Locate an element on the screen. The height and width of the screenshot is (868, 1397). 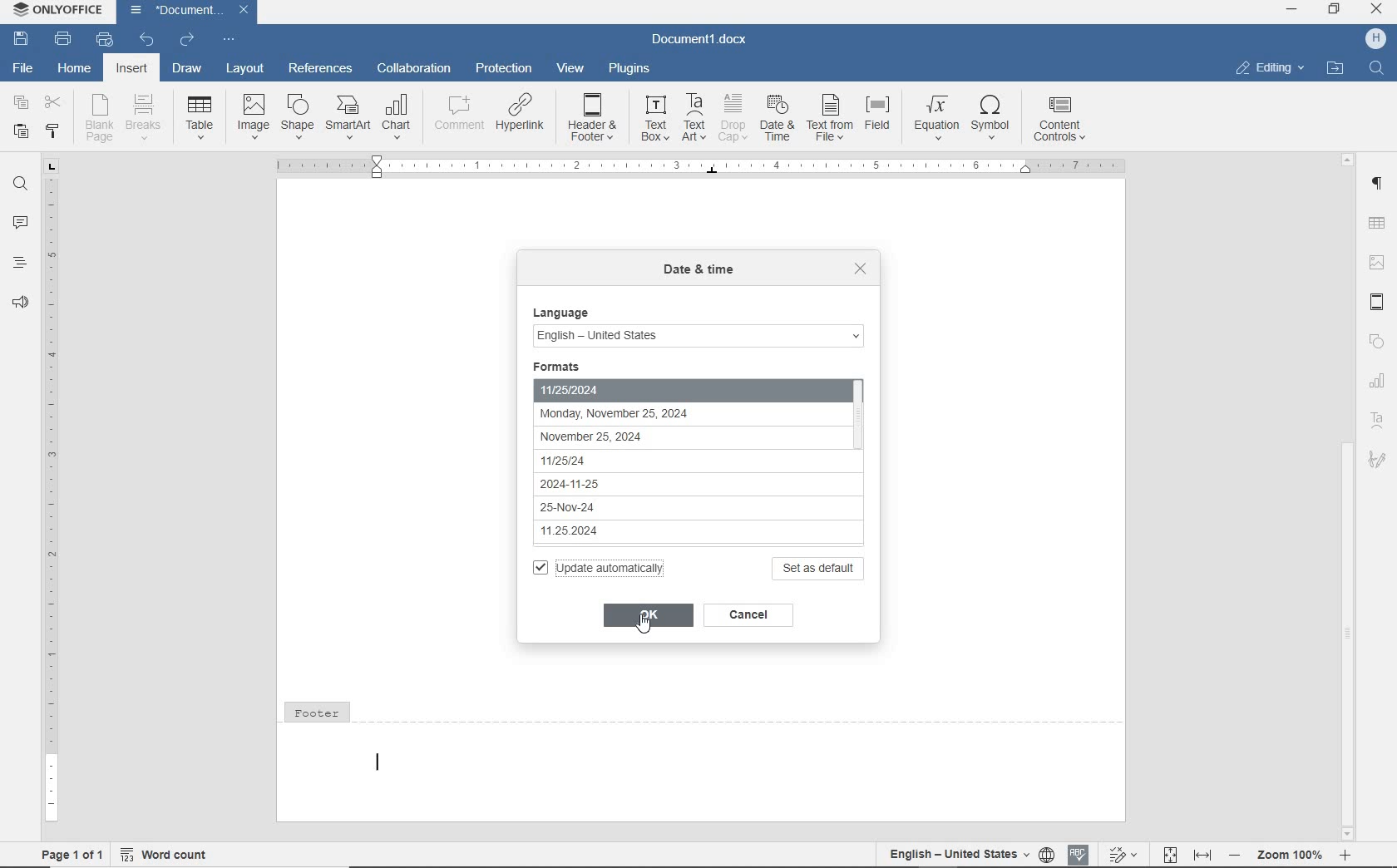
layout is located at coordinates (245, 70).